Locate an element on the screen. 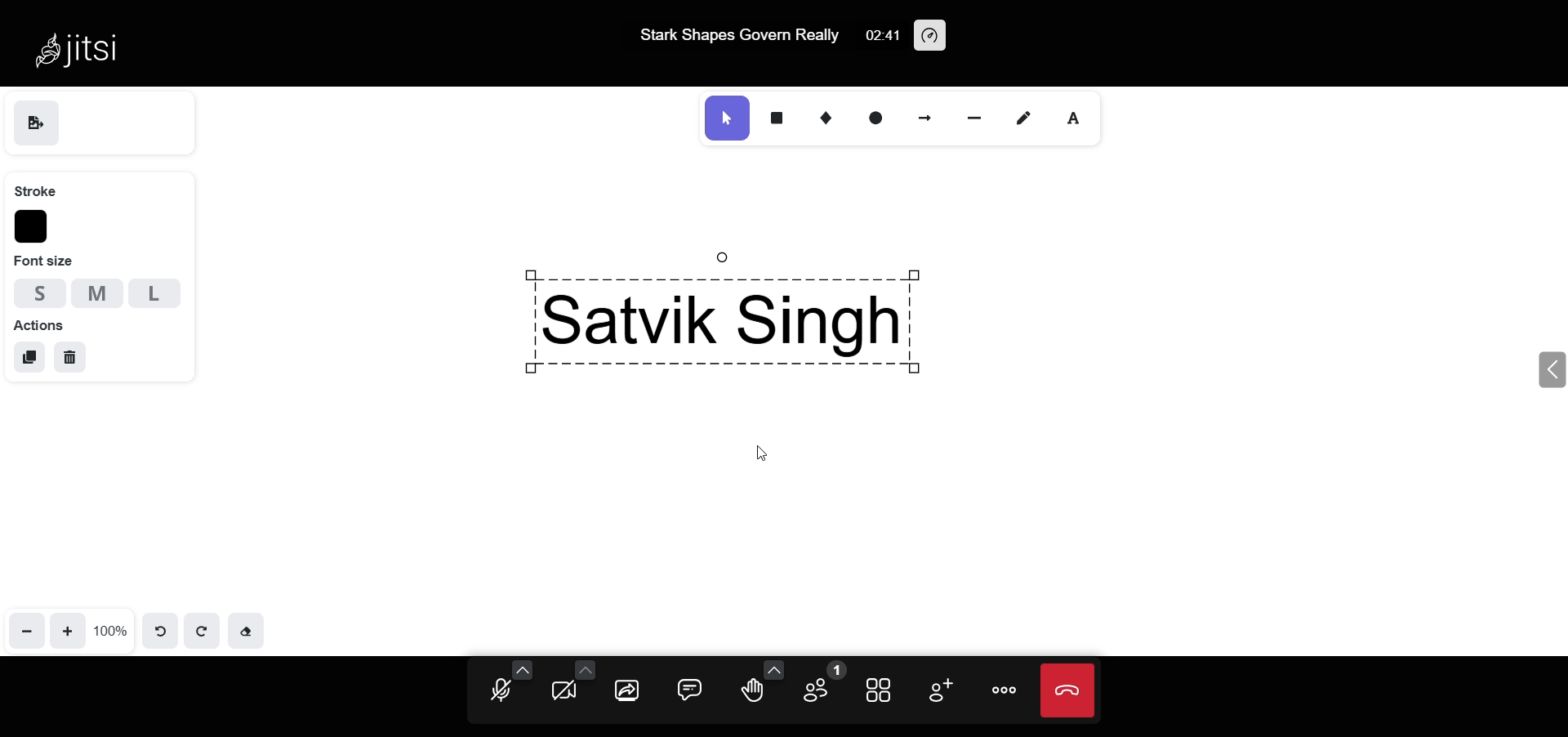 The height and width of the screenshot is (737, 1568). more is located at coordinates (1003, 690).